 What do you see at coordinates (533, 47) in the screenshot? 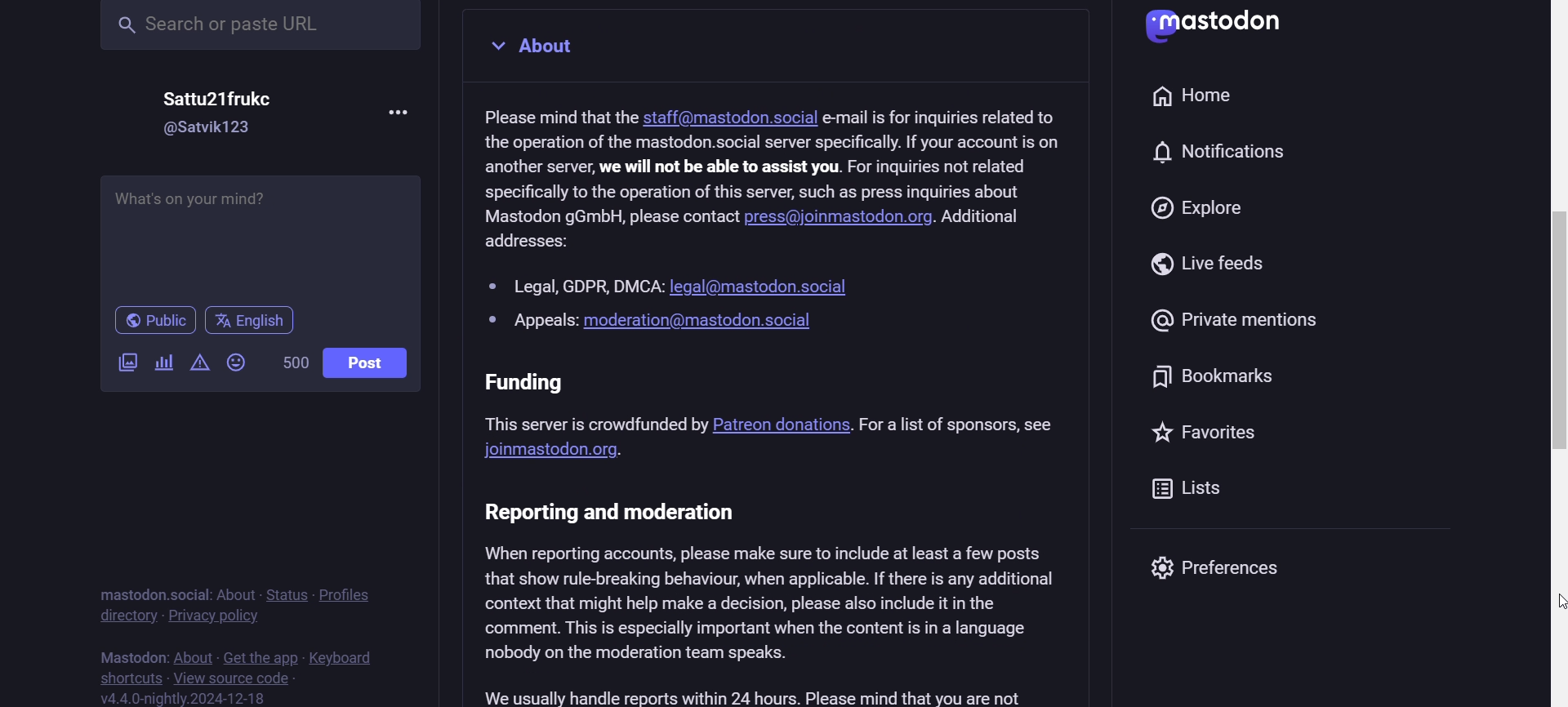
I see `about` at bounding box center [533, 47].